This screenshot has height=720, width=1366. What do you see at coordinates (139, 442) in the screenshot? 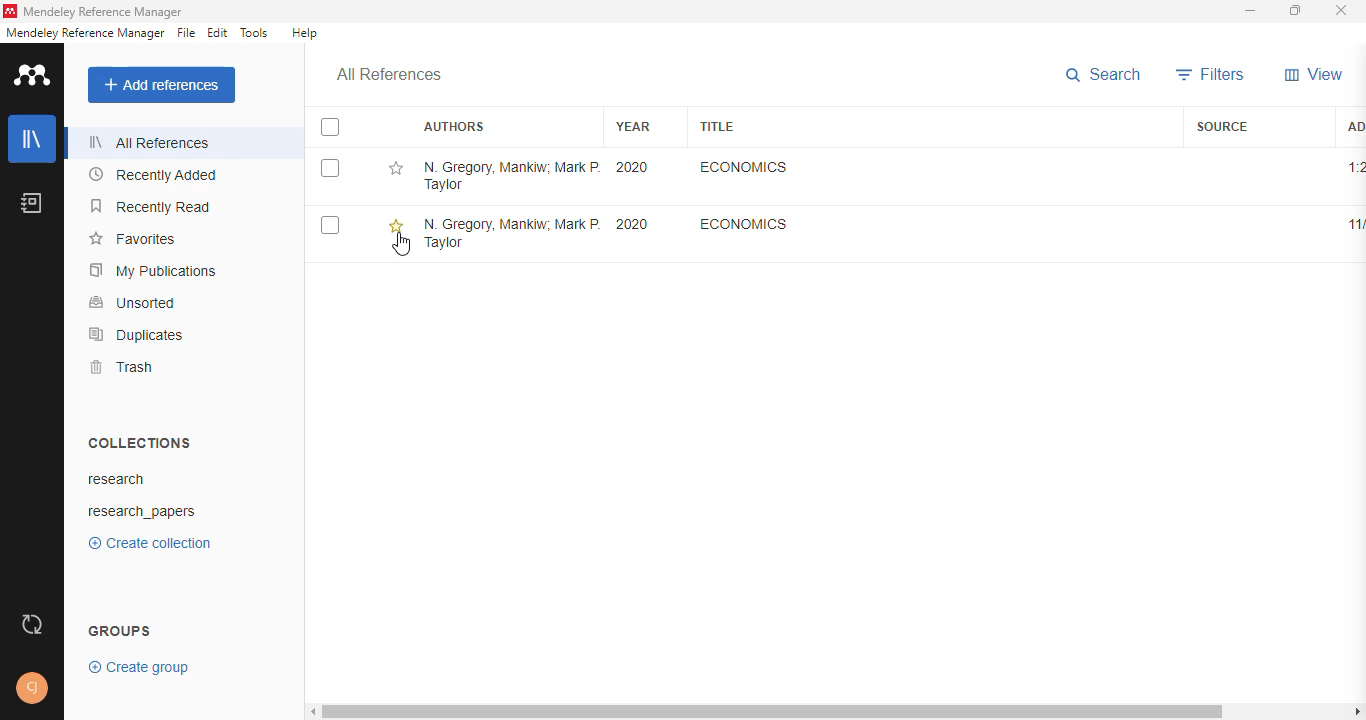
I see `collections` at bounding box center [139, 442].